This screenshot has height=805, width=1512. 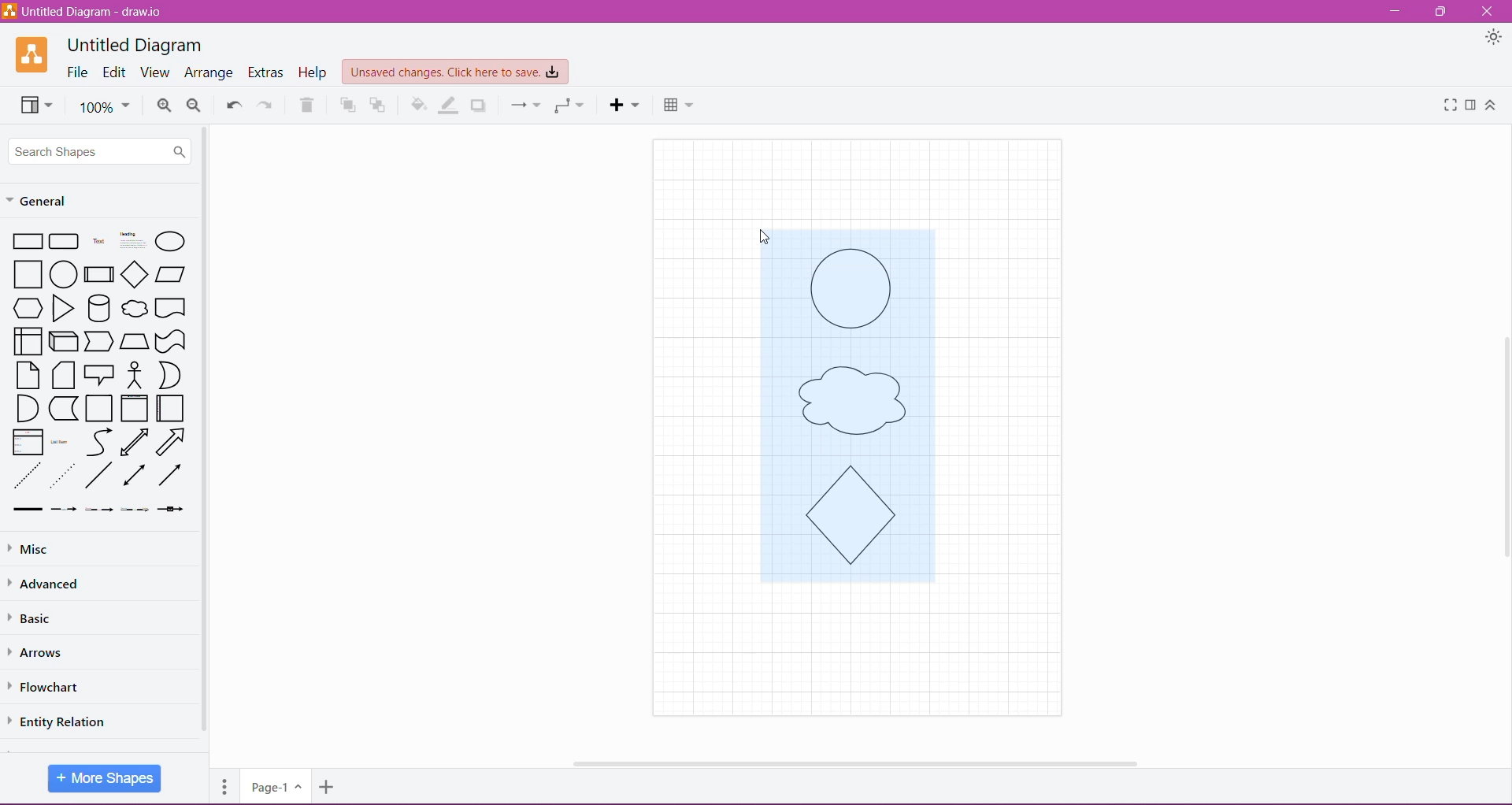 I want to click on Insert Page, so click(x=328, y=789).